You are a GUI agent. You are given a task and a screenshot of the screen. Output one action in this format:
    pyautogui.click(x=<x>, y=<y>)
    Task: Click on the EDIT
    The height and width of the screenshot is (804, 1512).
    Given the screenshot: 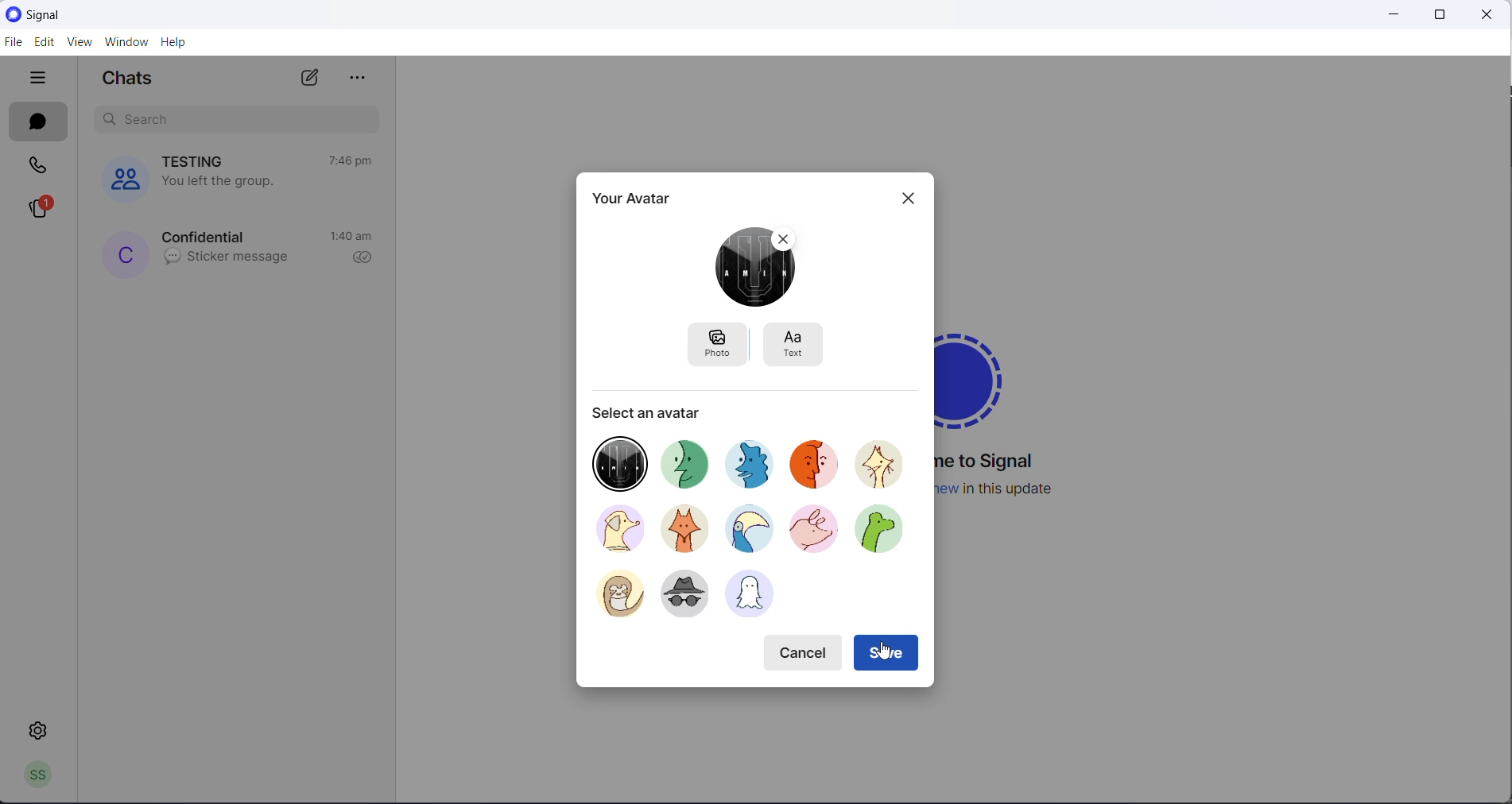 What is the action you would take?
    pyautogui.click(x=42, y=43)
    